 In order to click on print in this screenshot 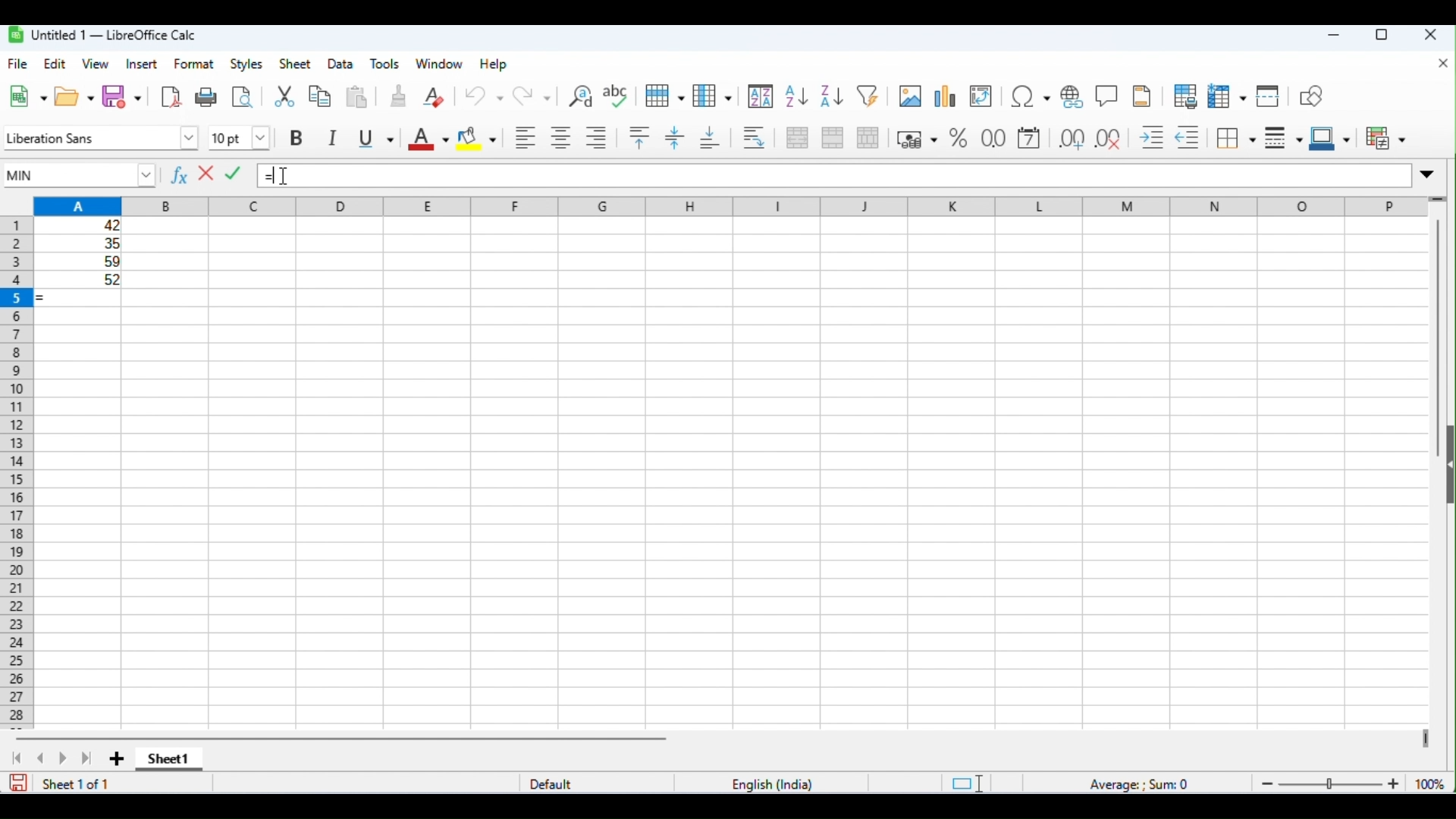, I will do `click(205, 97)`.